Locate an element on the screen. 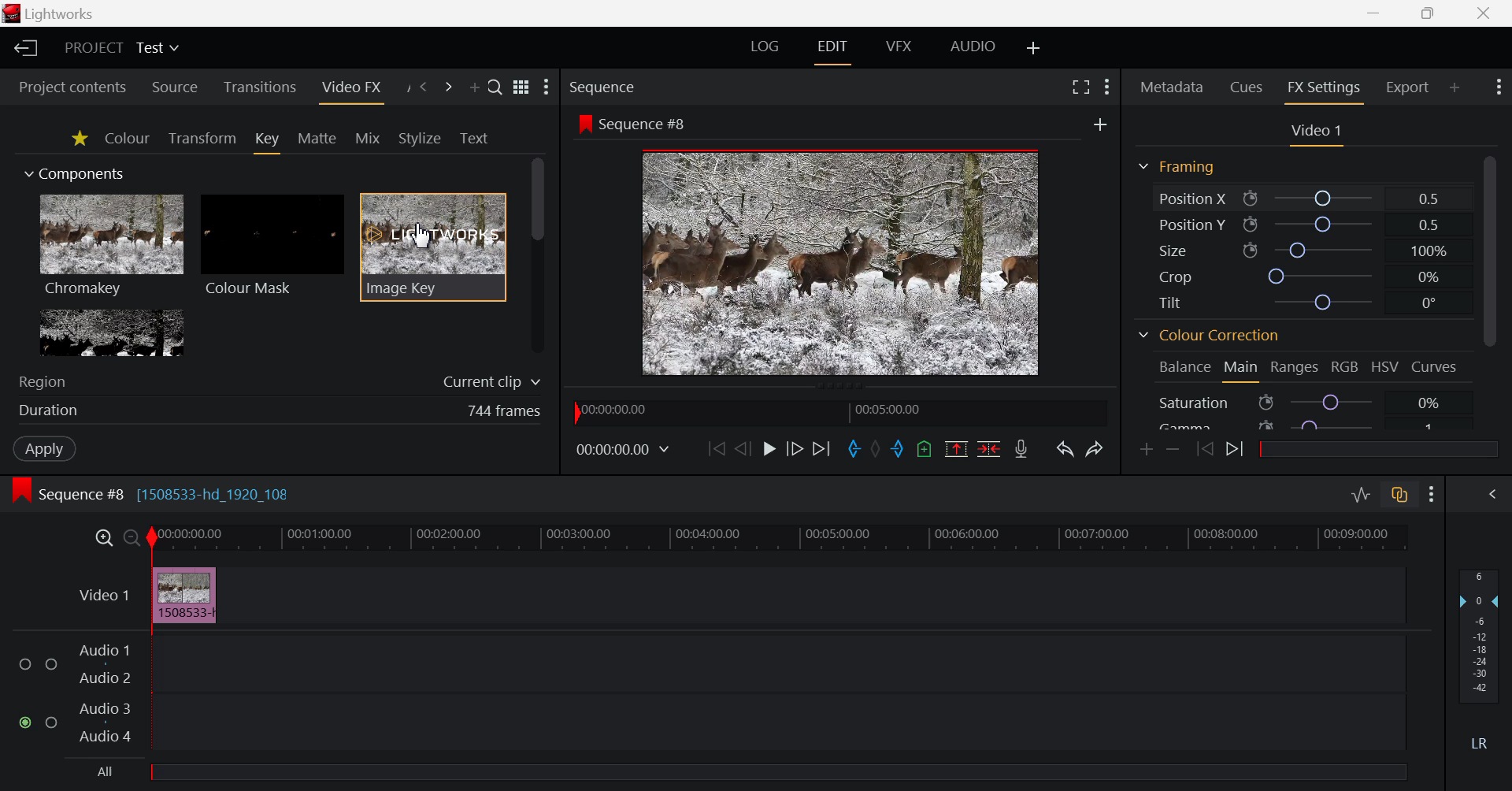 This screenshot has width=1512, height=791. Show Settings is located at coordinates (1106, 85).